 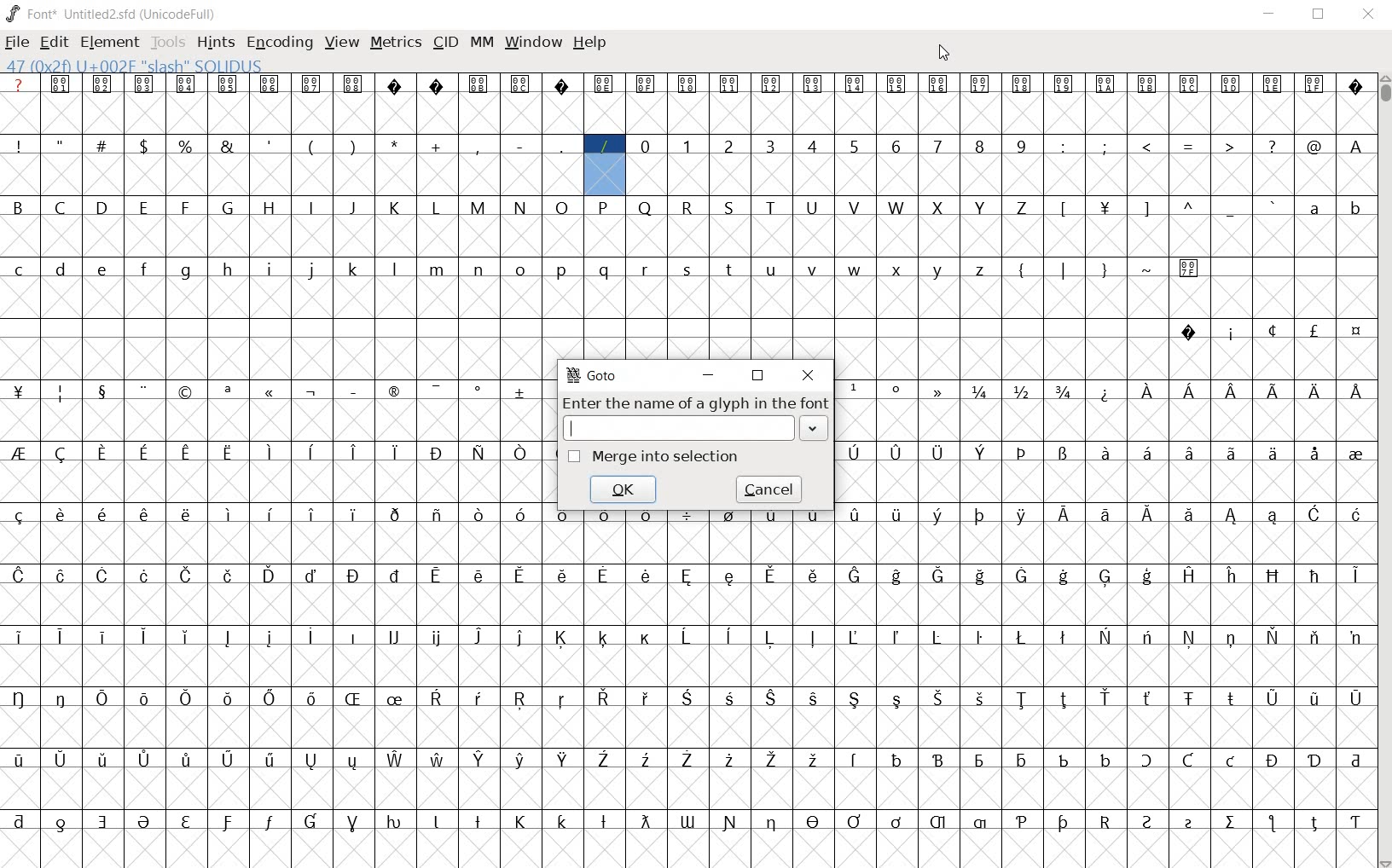 What do you see at coordinates (1314, 576) in the screenshot?
I see `glyph` at bounding box center [1314, 576].